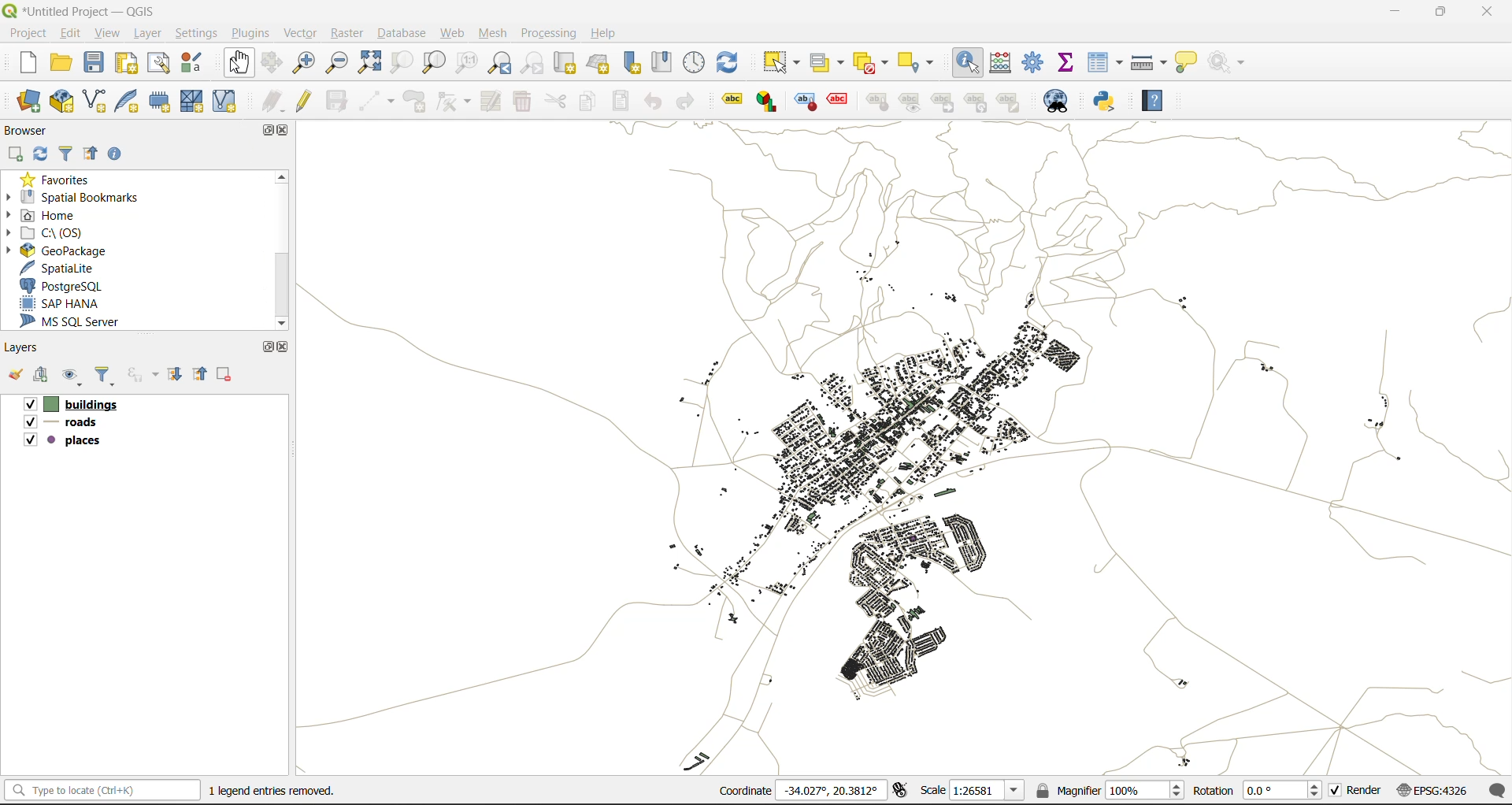 This screenshot has height=805, width=1512. What do you see at coordinates (347, 33) in the screenshot?
I see `raster` at bounding box center [347, 33].